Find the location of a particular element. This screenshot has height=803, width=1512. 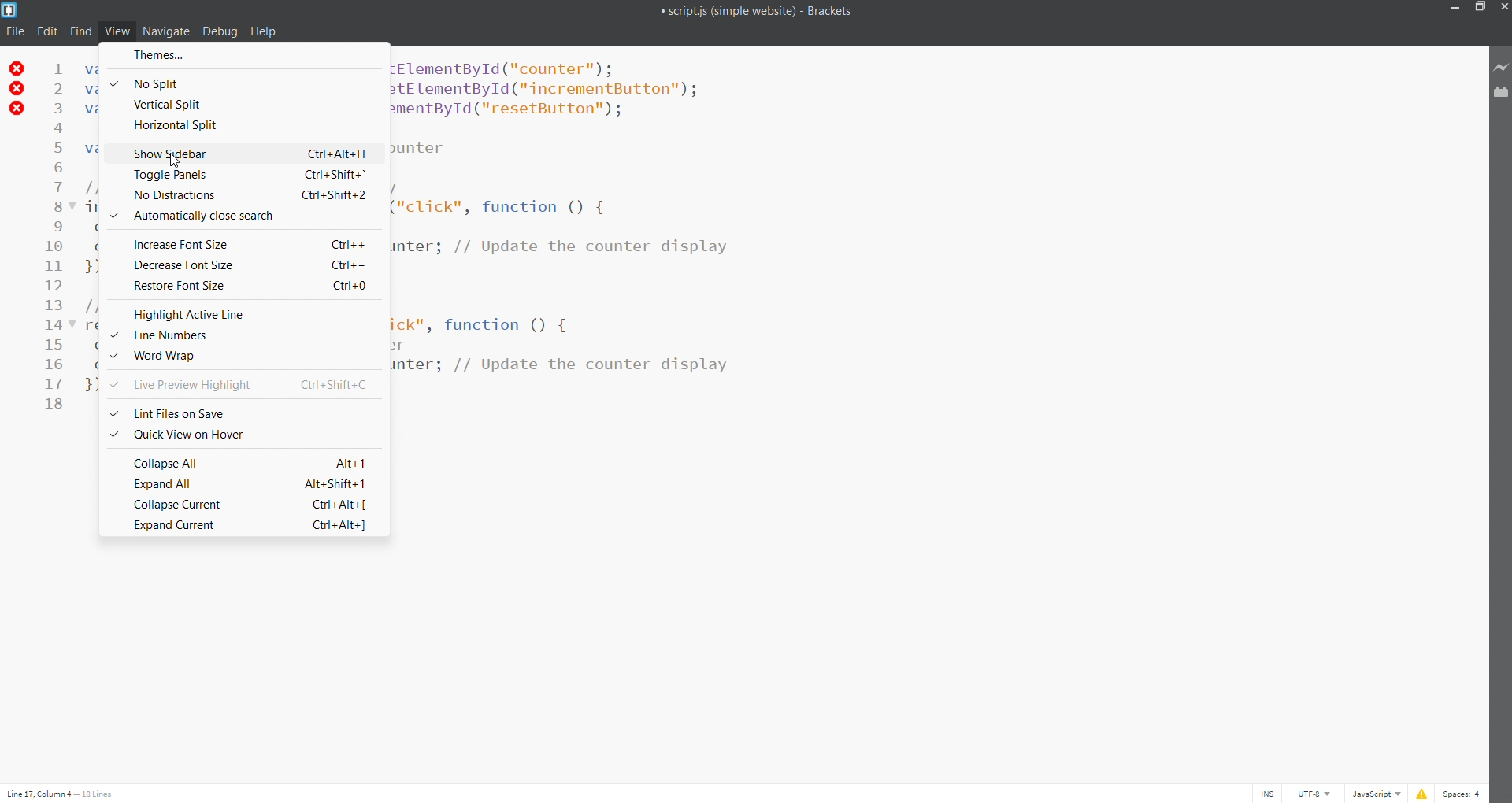

decrease font size is located at coordinates (244, 262).